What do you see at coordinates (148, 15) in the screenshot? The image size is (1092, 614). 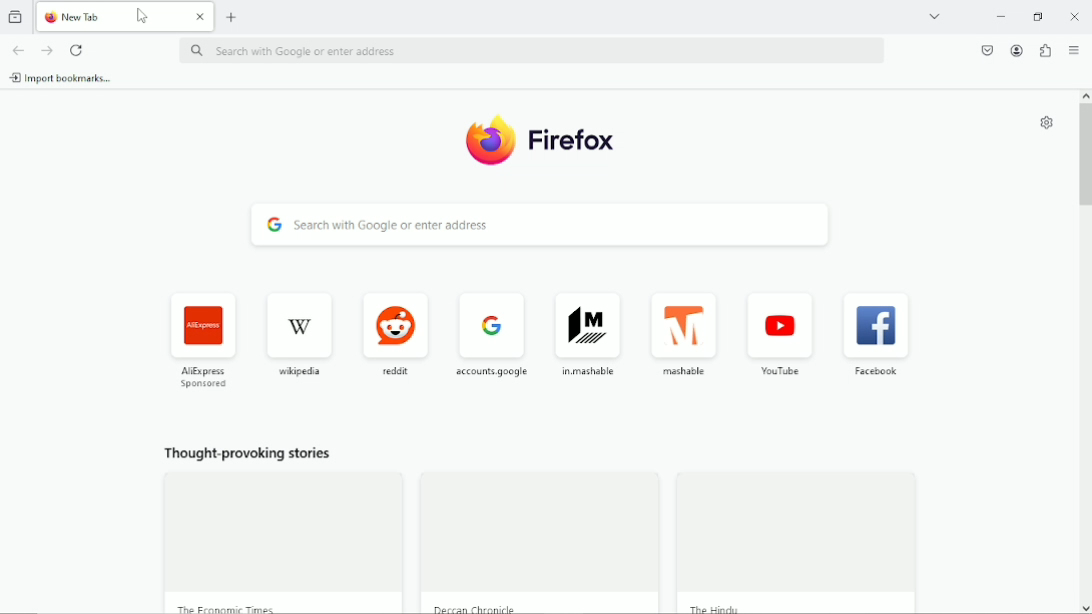 I see `cursor` at bounding box center [148, 15].